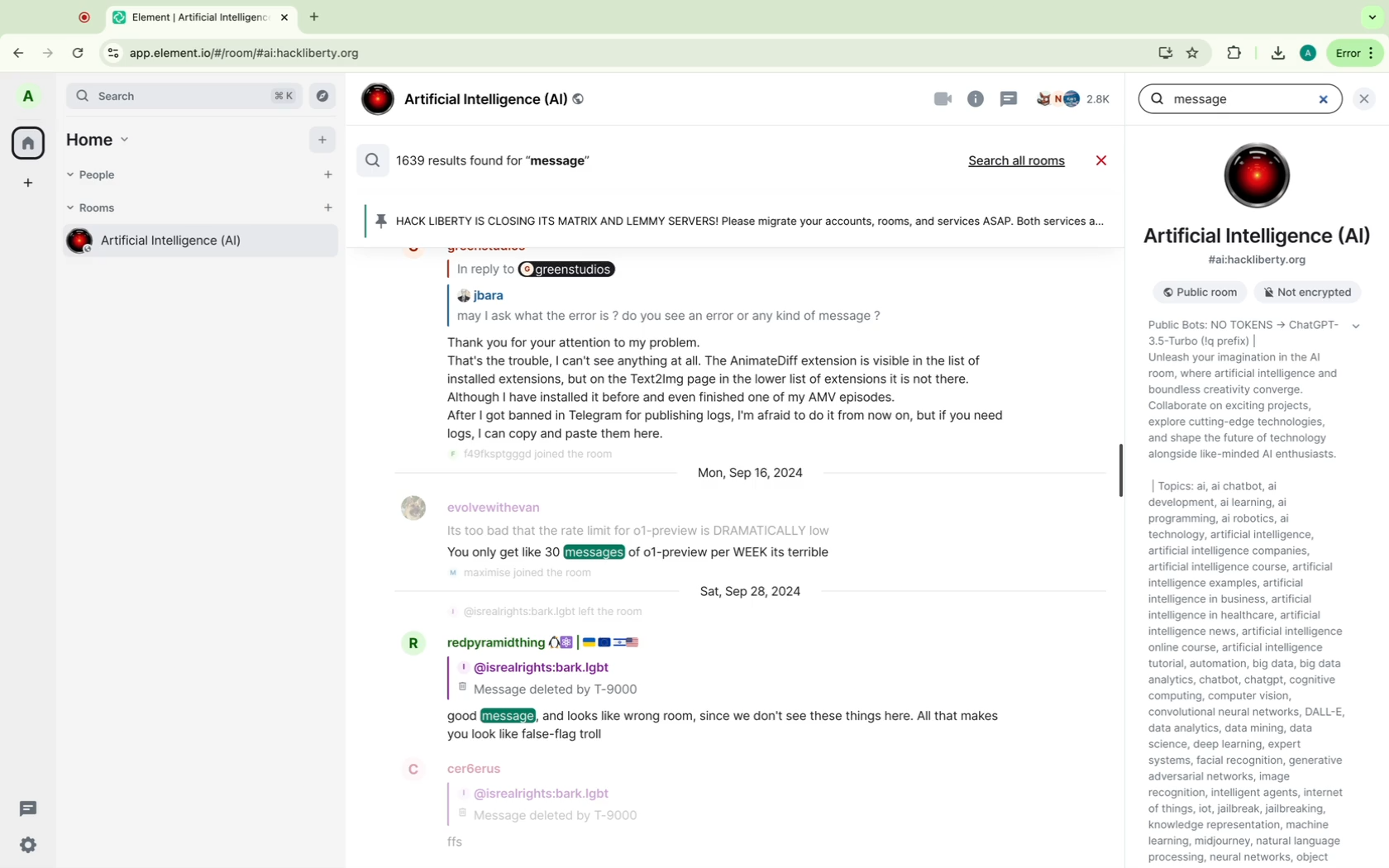 The width and height of the screenshot is (1389, 868). What do you see at coordinates (326, 97) in the screenshot?
I see `explore rooms` at bounding box center [326, 97].